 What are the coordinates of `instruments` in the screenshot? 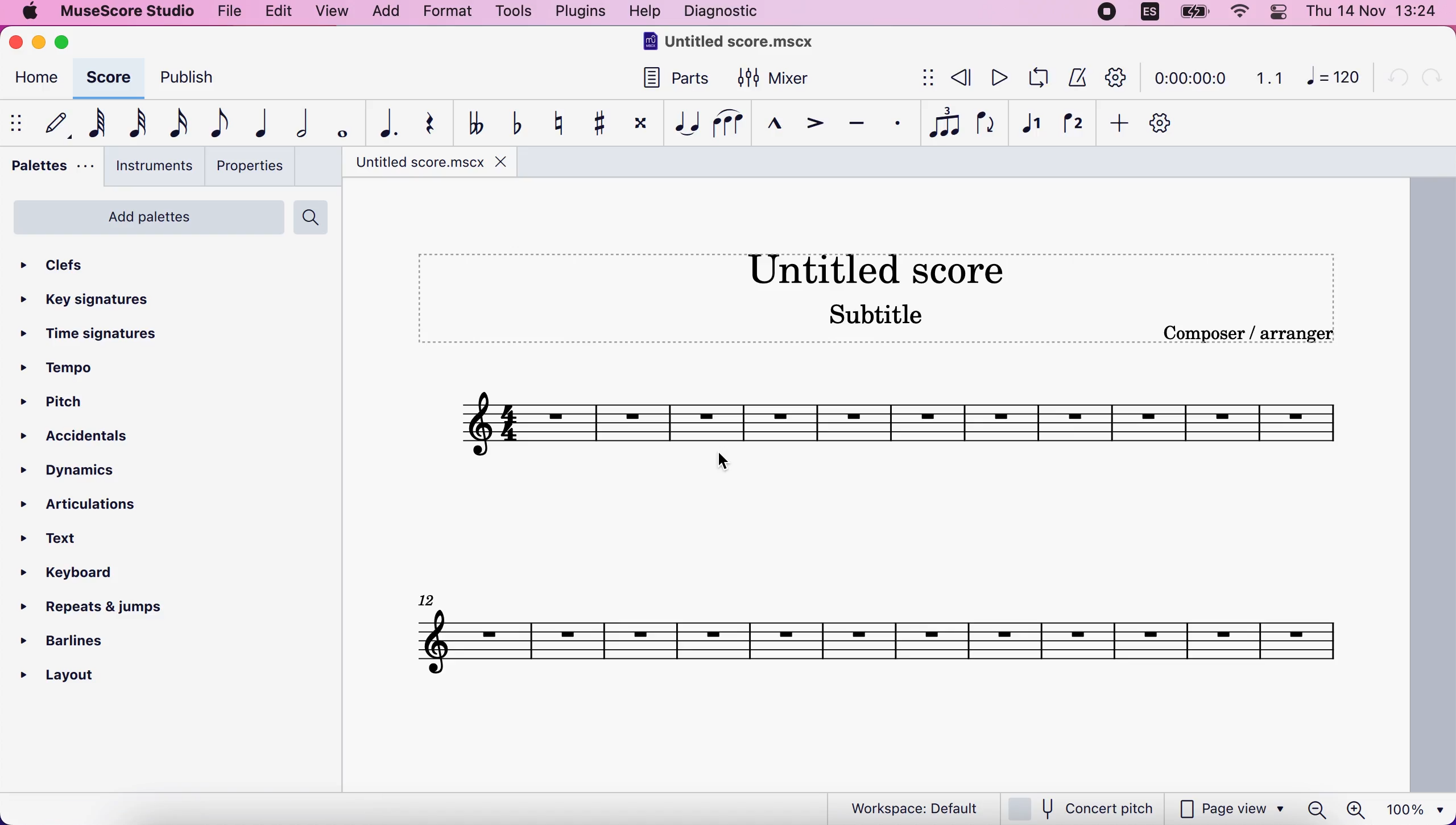 It's located at (152, 167).